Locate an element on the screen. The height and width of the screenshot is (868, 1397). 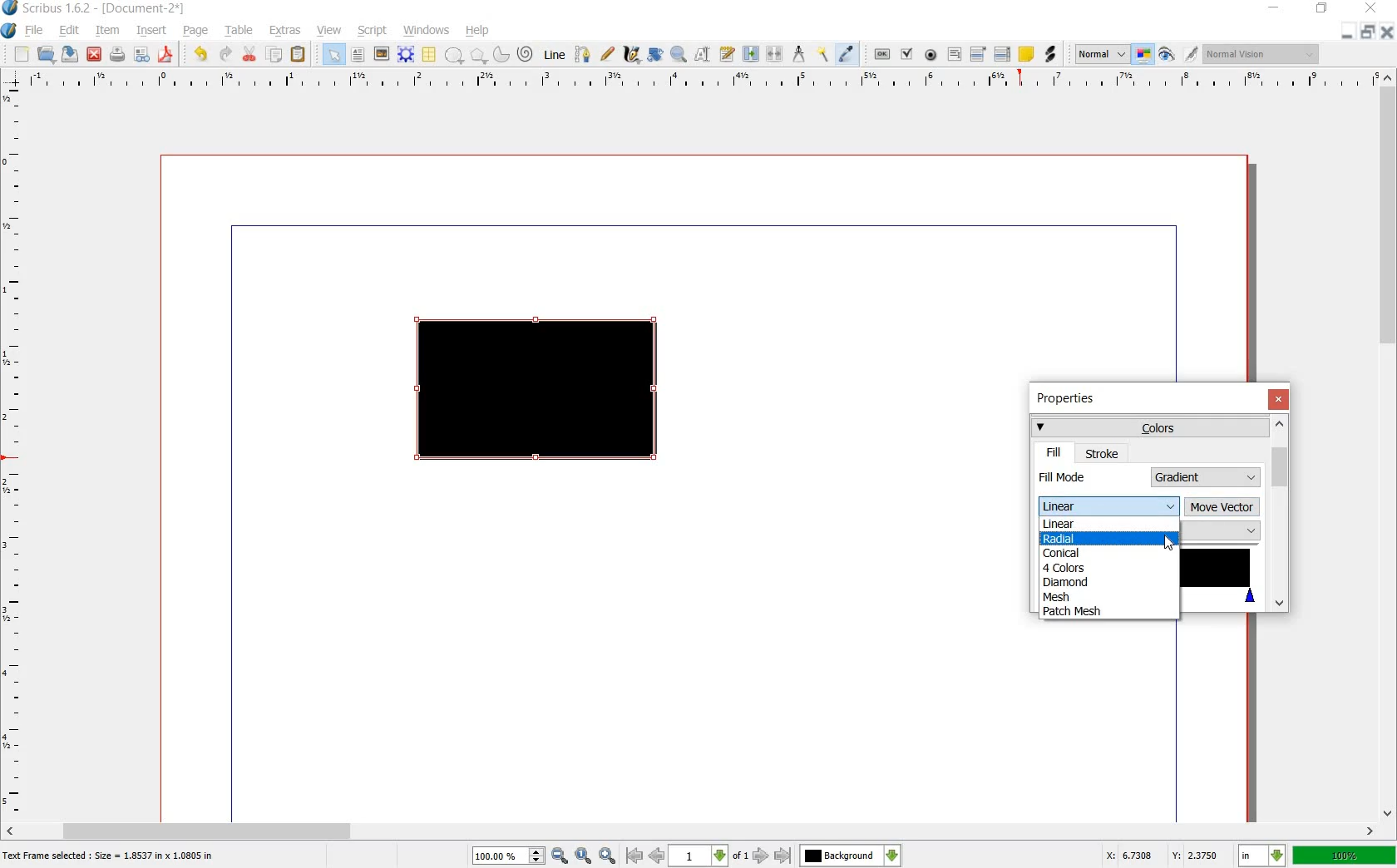
fill mode is located at coordinates (1091, 476).